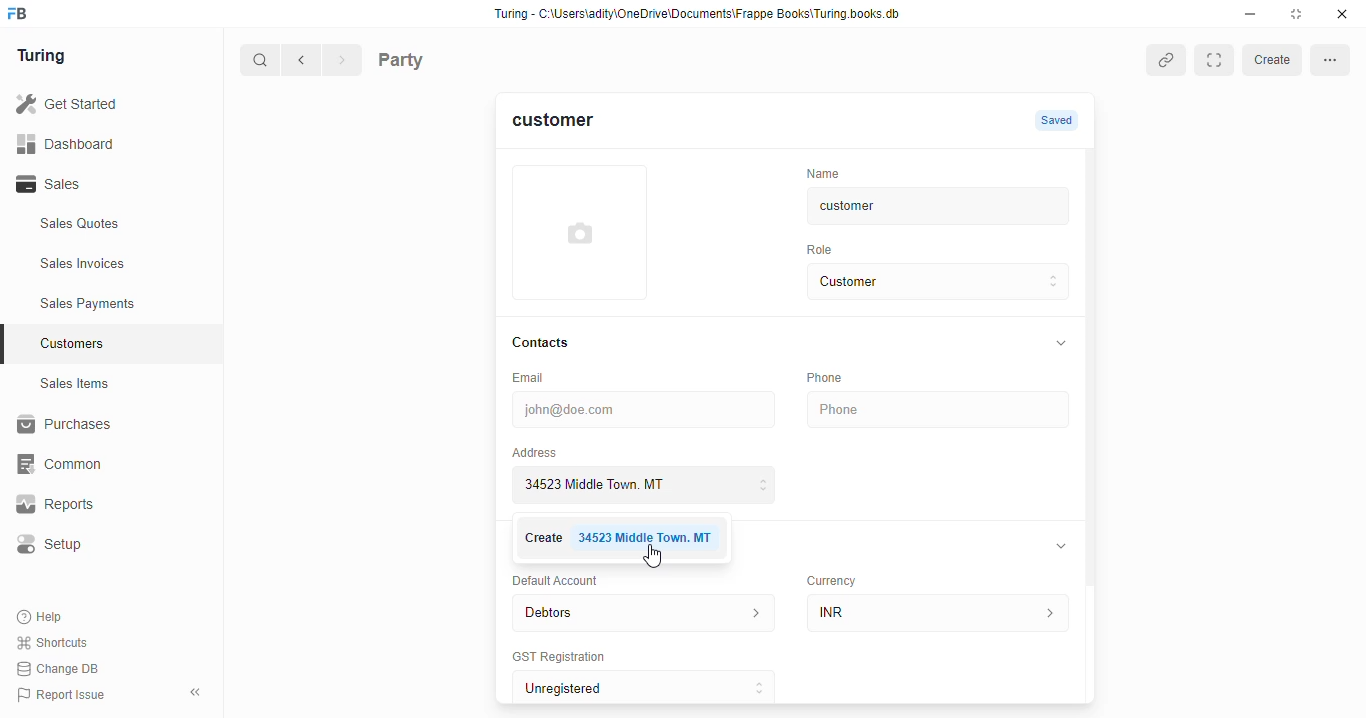 This screenshot has width=1366, height=718. What do you see at coordinates (1251, 14) in the screenshot?
I see `minimise` at bounding box center [1251, 14].